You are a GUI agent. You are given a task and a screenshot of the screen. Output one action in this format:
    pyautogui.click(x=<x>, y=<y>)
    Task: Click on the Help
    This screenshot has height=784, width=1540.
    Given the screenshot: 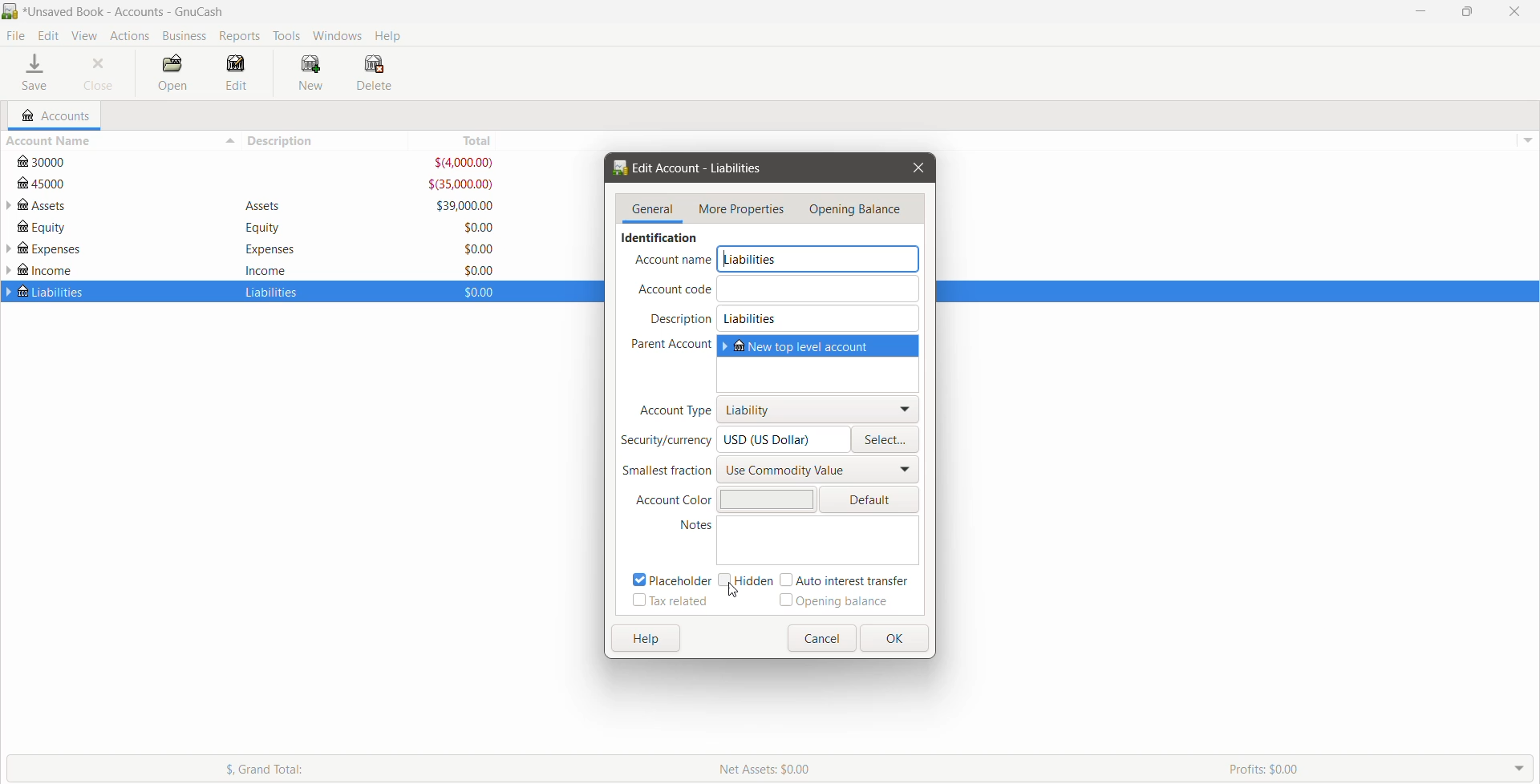 What is the action you would take?
    pyautogui.click(x=391, y=34)
    